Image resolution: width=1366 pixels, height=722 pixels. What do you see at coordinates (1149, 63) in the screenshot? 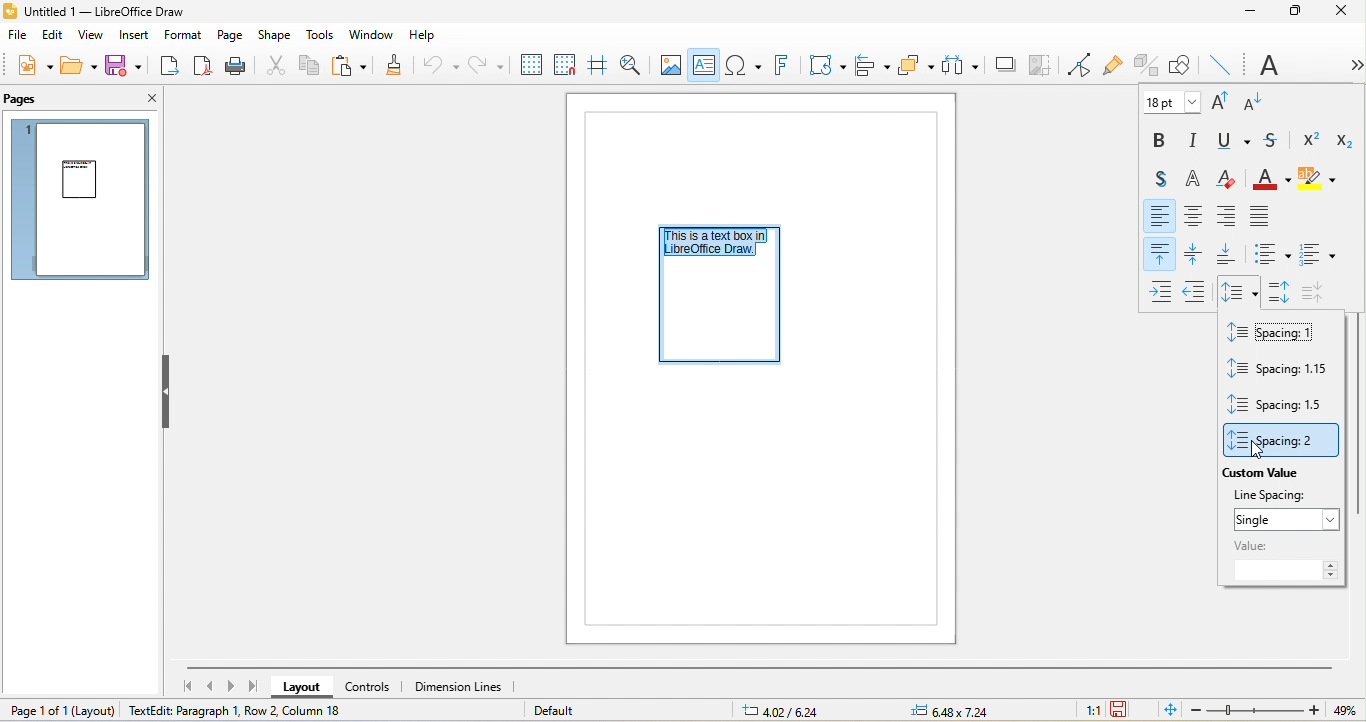
I see `toggle extrusion` at bounding box center [1149, 63].